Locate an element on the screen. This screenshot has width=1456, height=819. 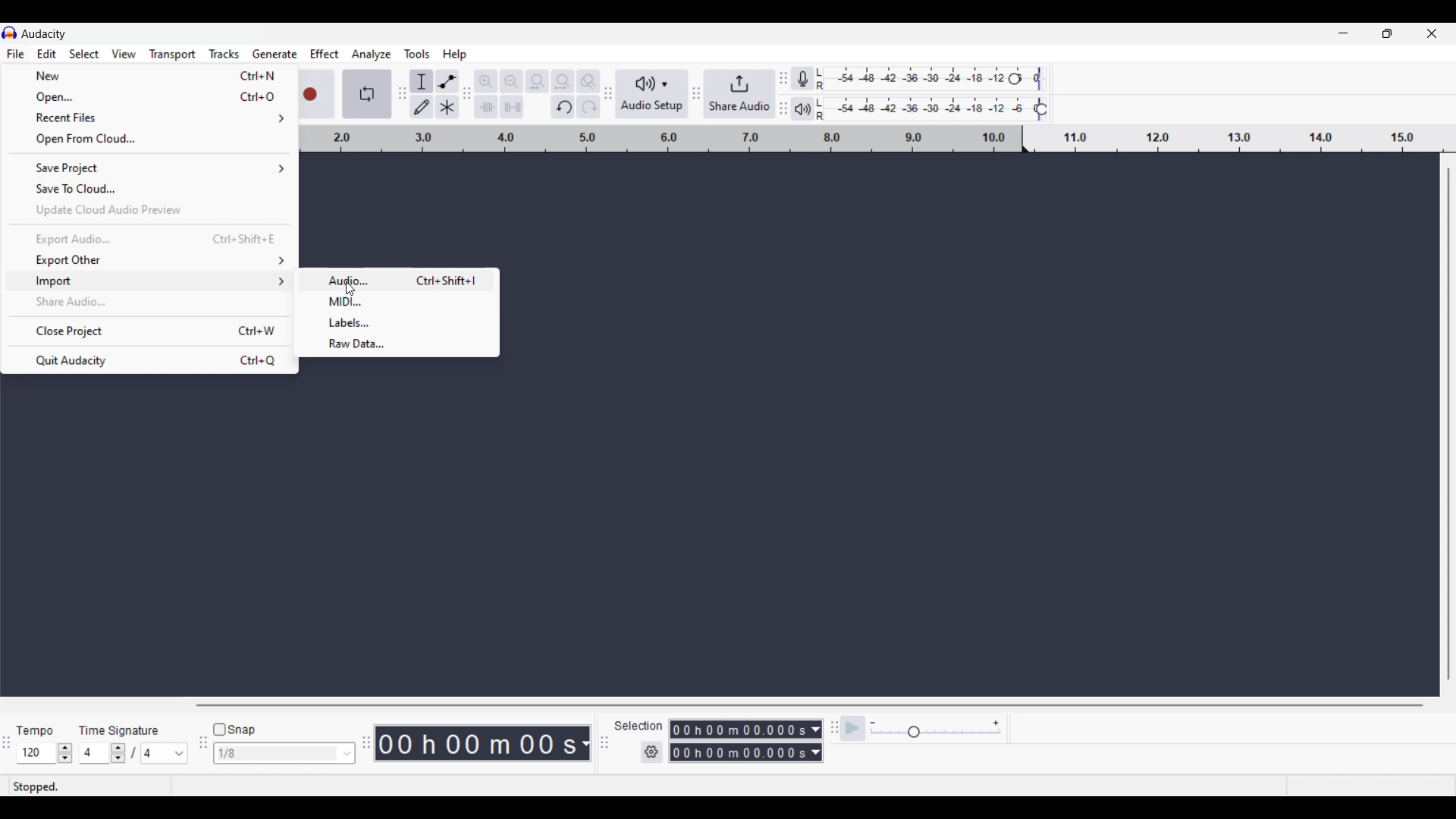
playback meter tool bar is located at coordinates (784, 110).